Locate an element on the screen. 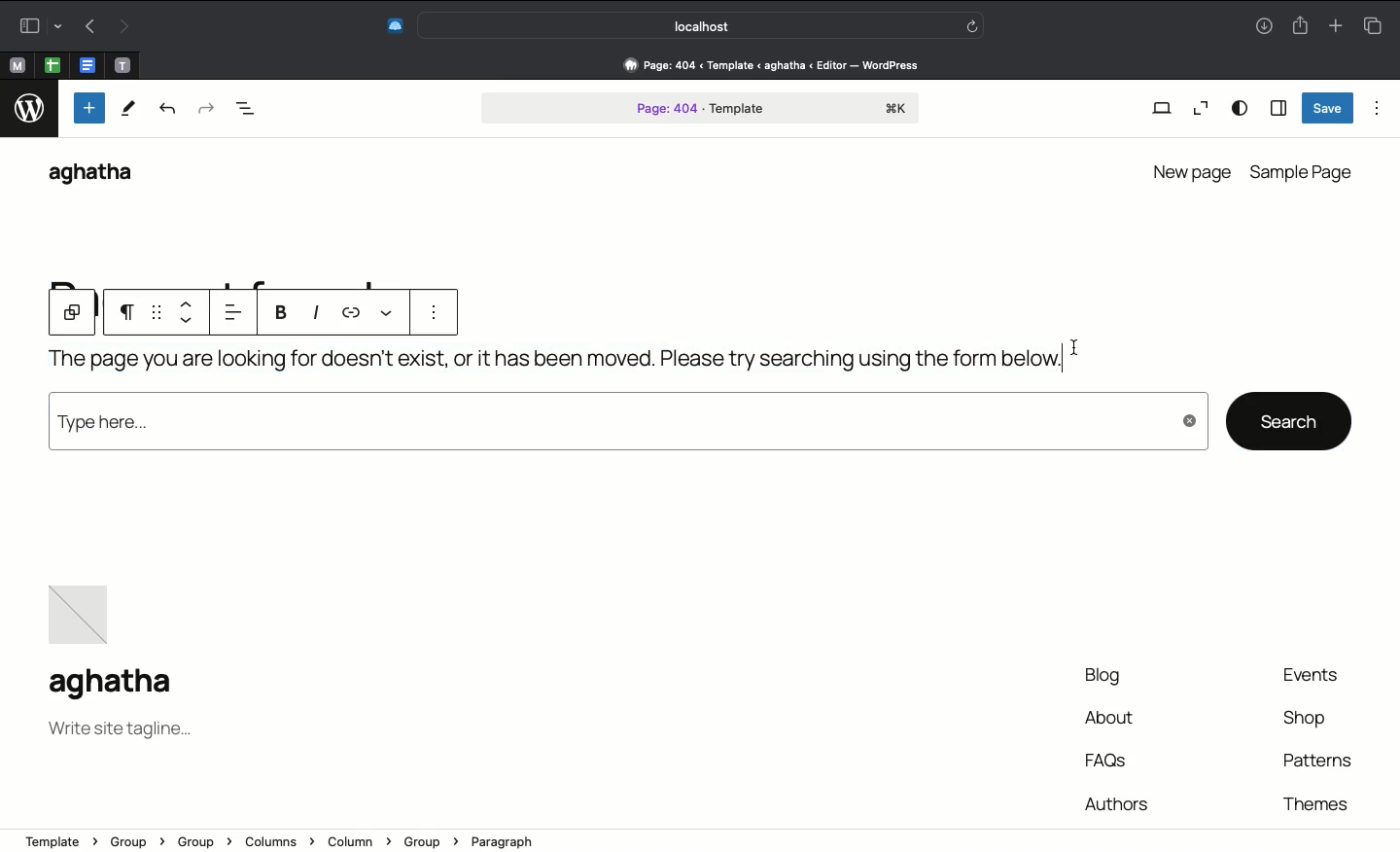  Left align is located at coordinates (238, 313).